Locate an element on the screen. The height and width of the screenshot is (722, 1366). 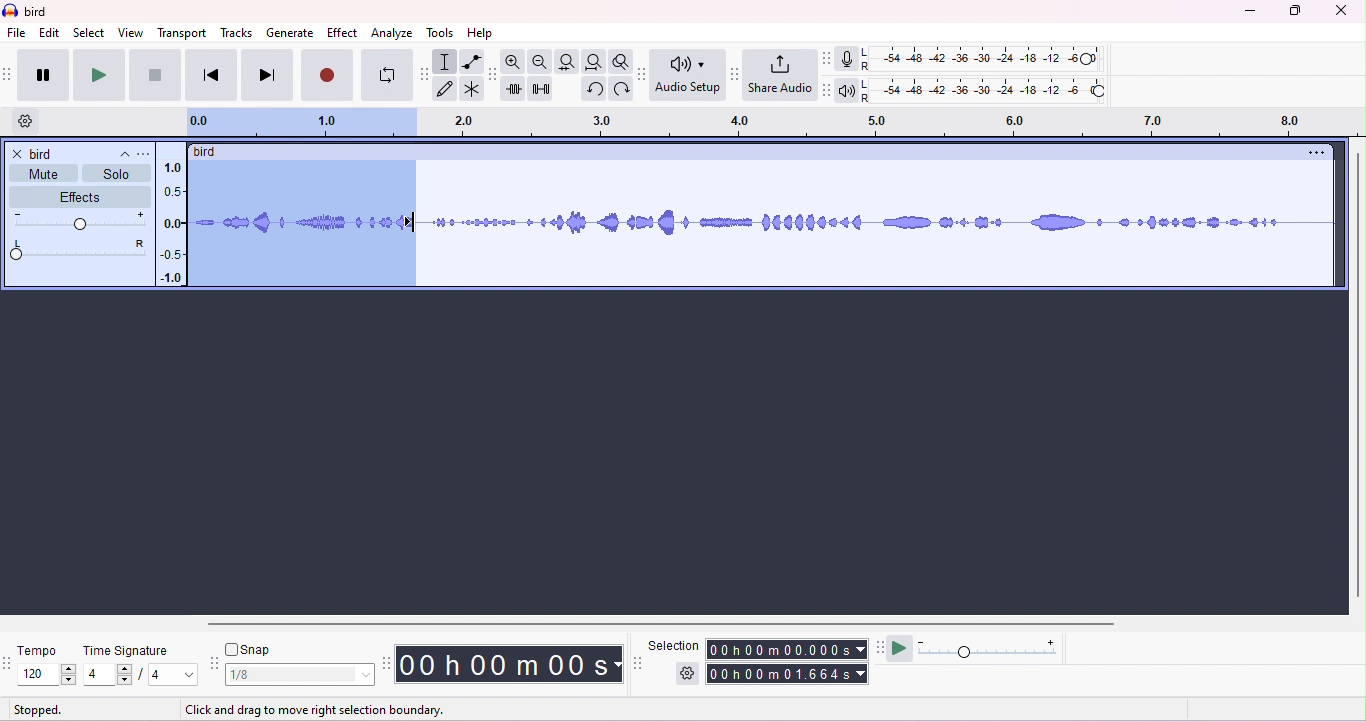
4/4 (select time signature) is located at coordinates (140, 676).